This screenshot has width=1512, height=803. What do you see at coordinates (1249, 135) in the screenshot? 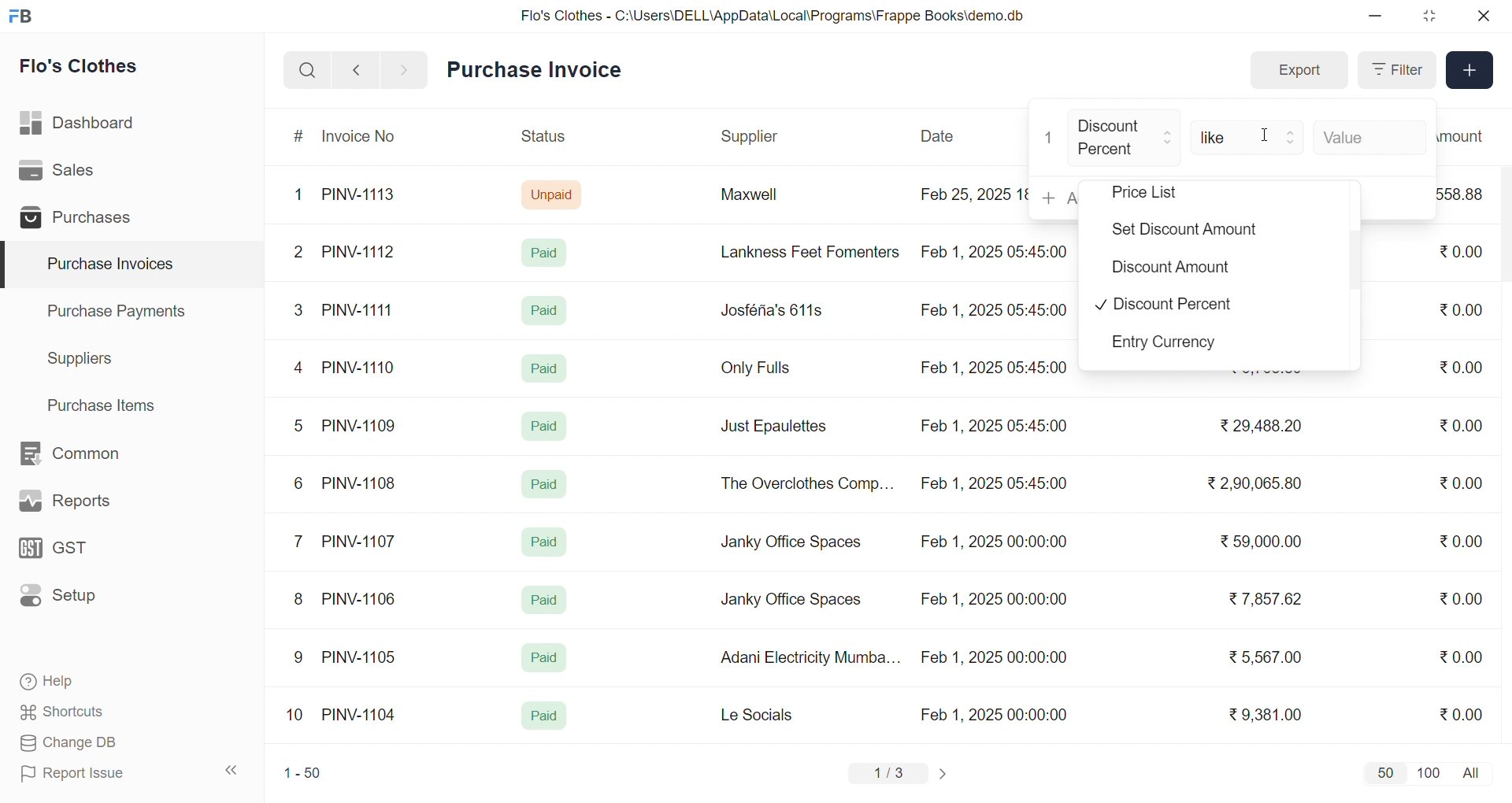
I see `like` at bounding box center [1249, 135].